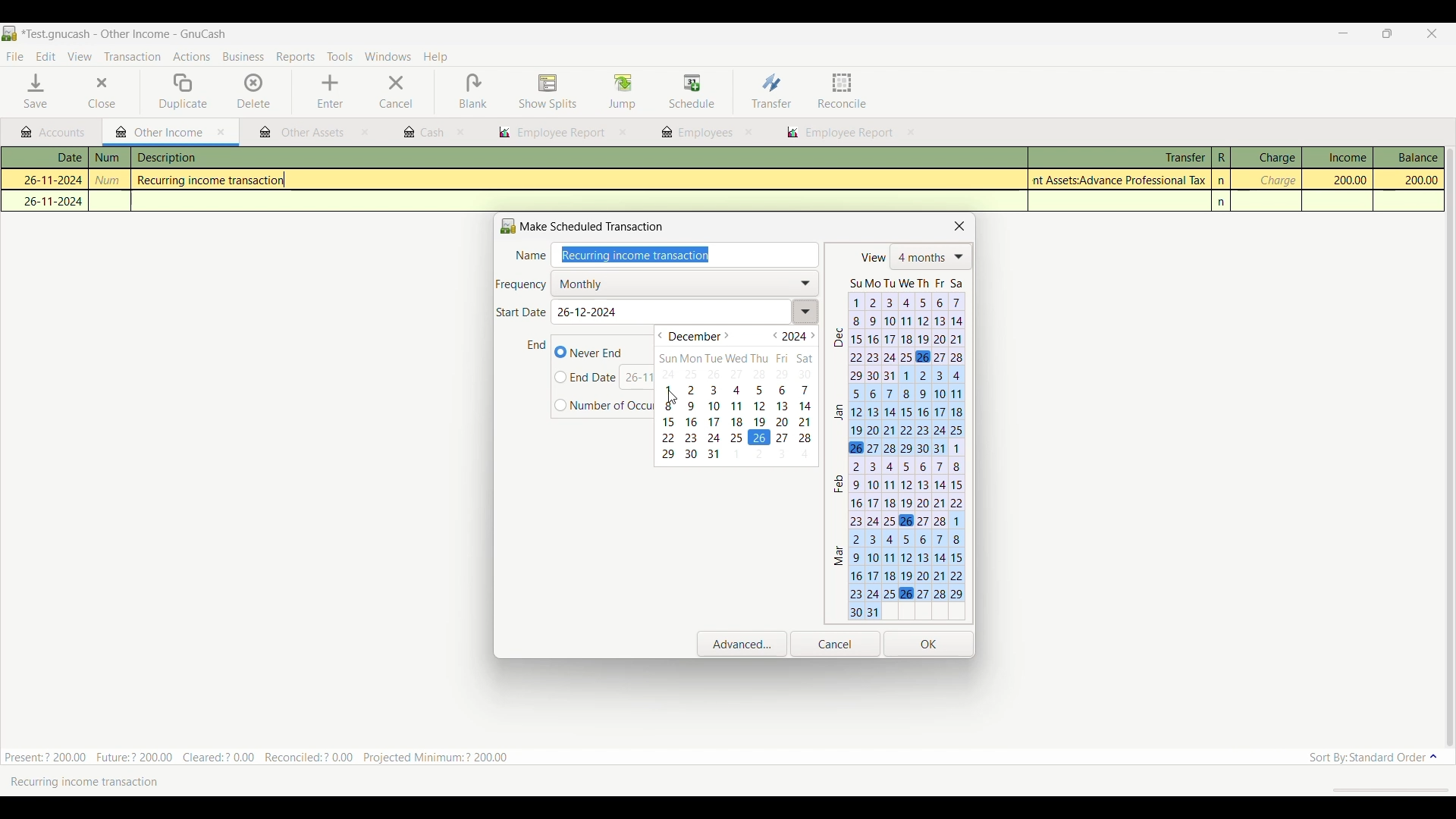  What do you see at coordinates (462, 133) in the screenshot?
I see `close` at bounding box center [462, 133].